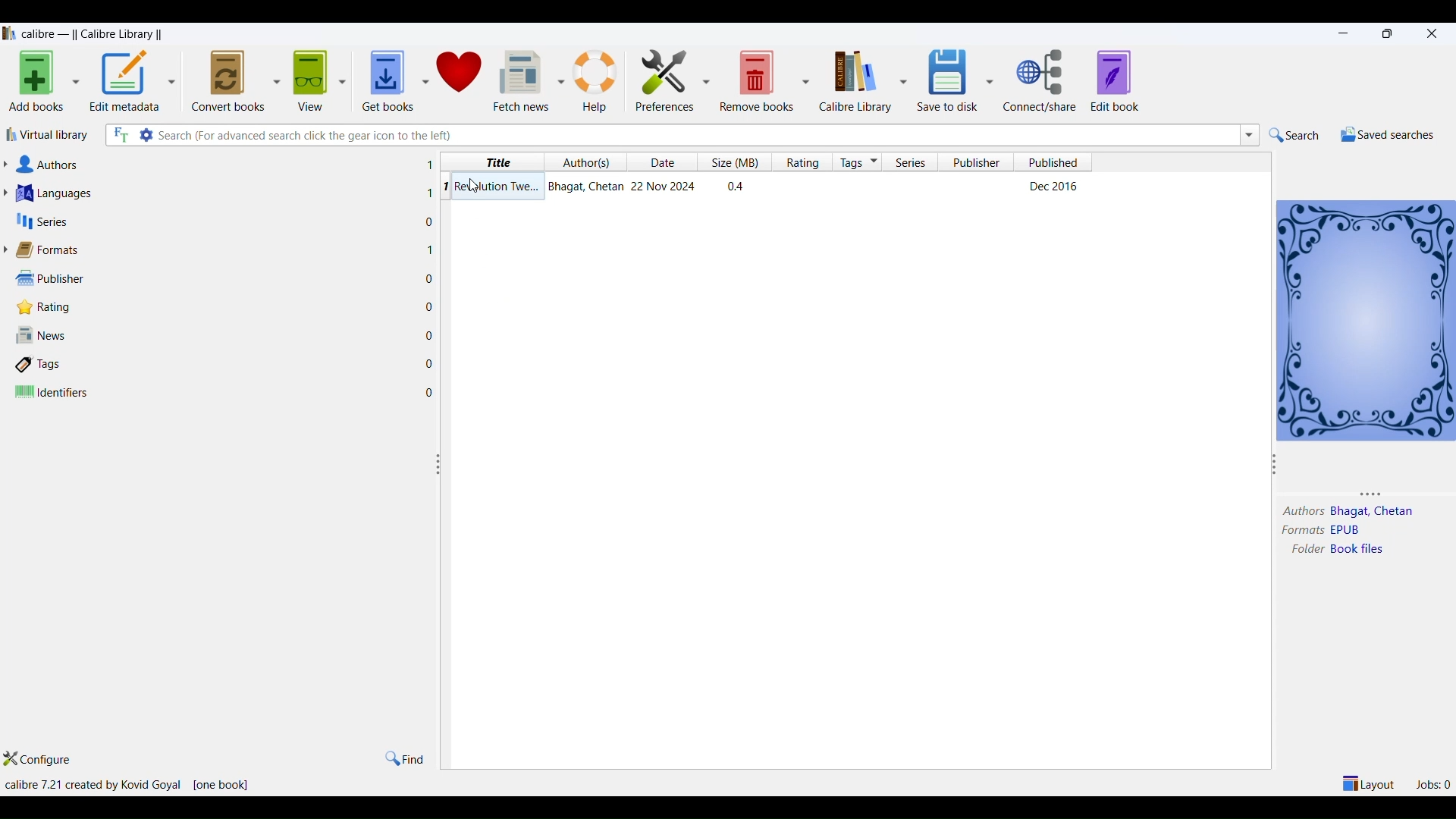  Describe the element at coordinates (1360, 495) in the screenshot. I see `resize` at that location.